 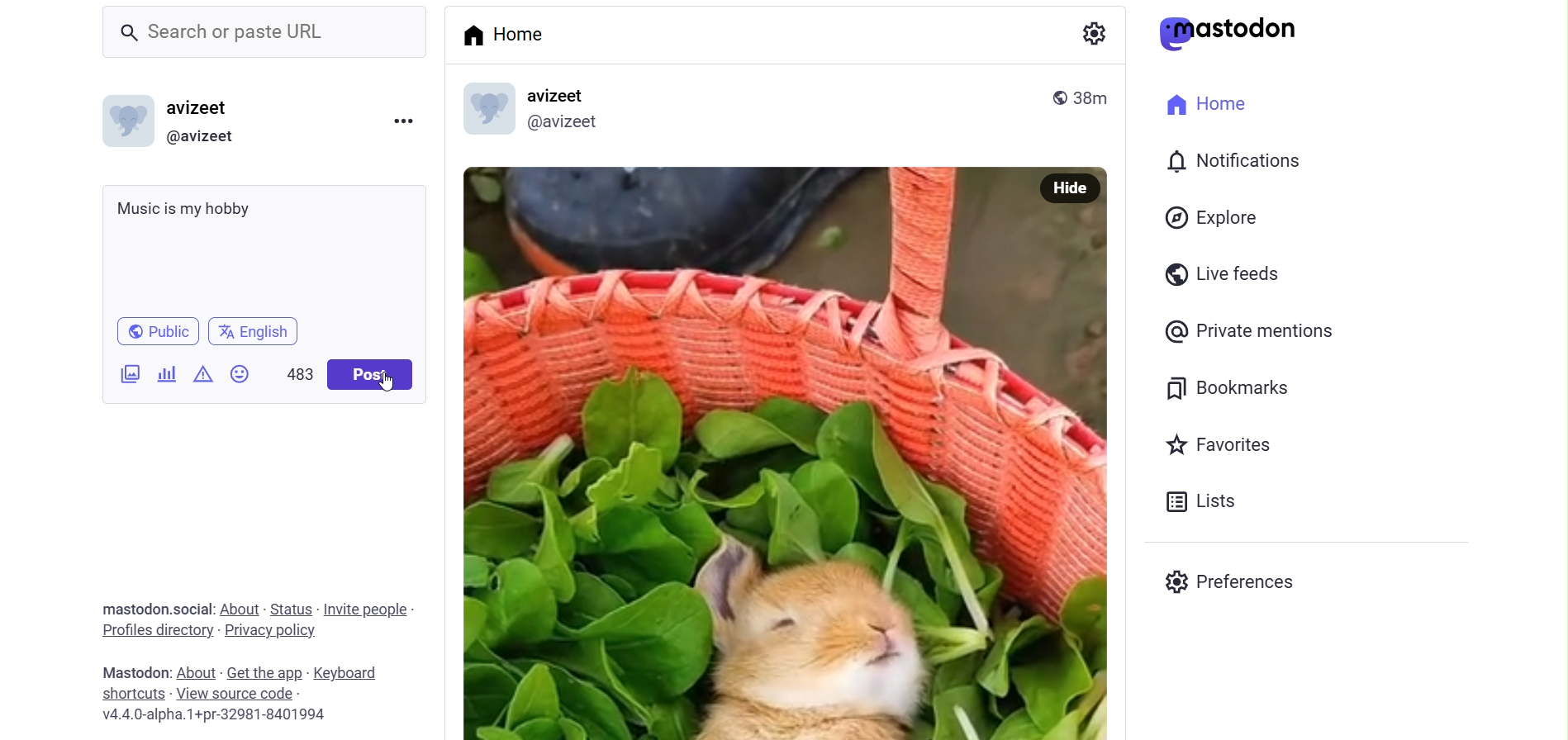 What do you see at coordinates (157, 632) in the screenshot?
I see `Profiles Directories` at bounding box center [157, 632].